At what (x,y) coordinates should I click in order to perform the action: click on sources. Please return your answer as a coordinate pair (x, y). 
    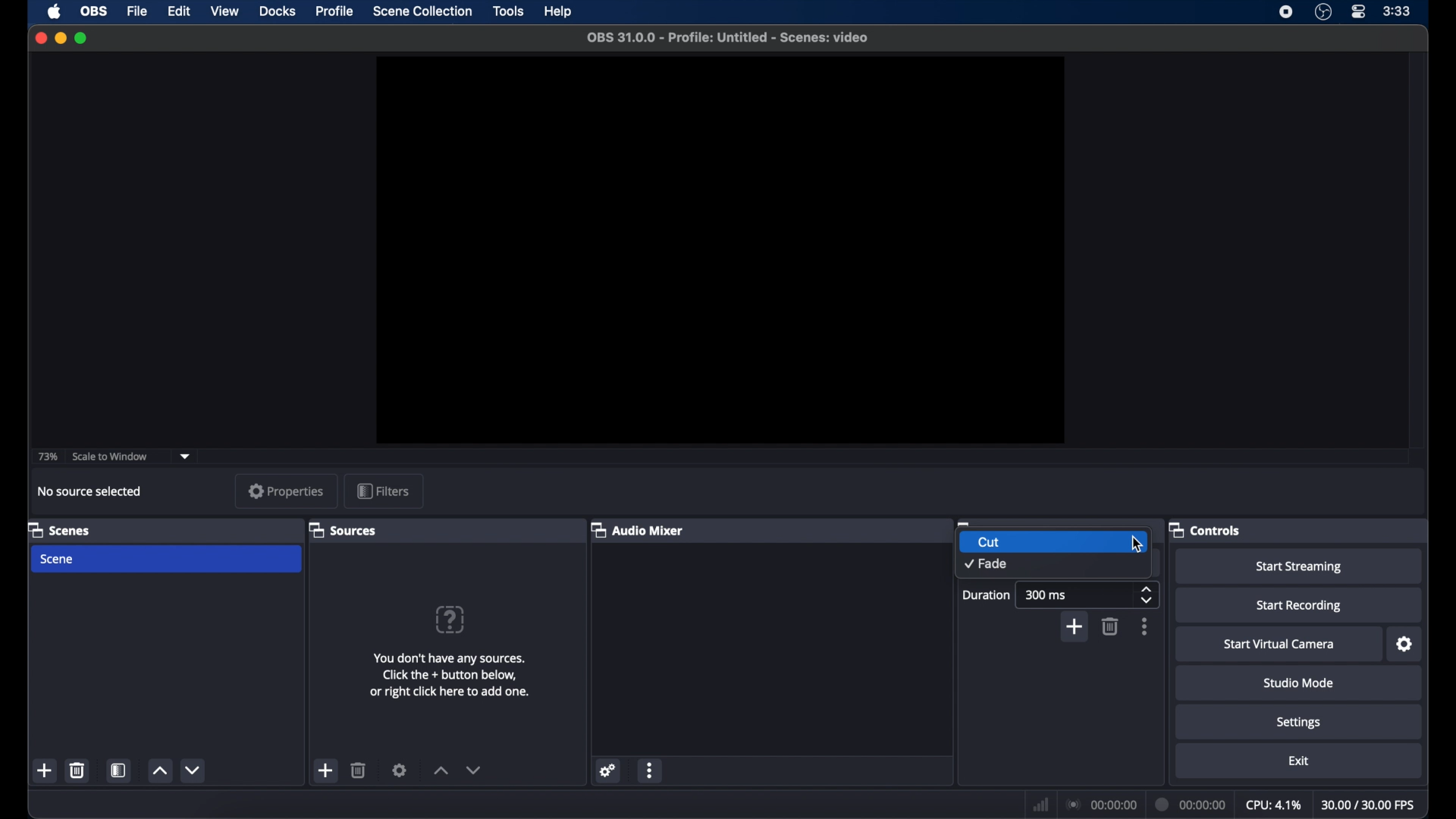
    Looking at the image, I should click on (343, 532).